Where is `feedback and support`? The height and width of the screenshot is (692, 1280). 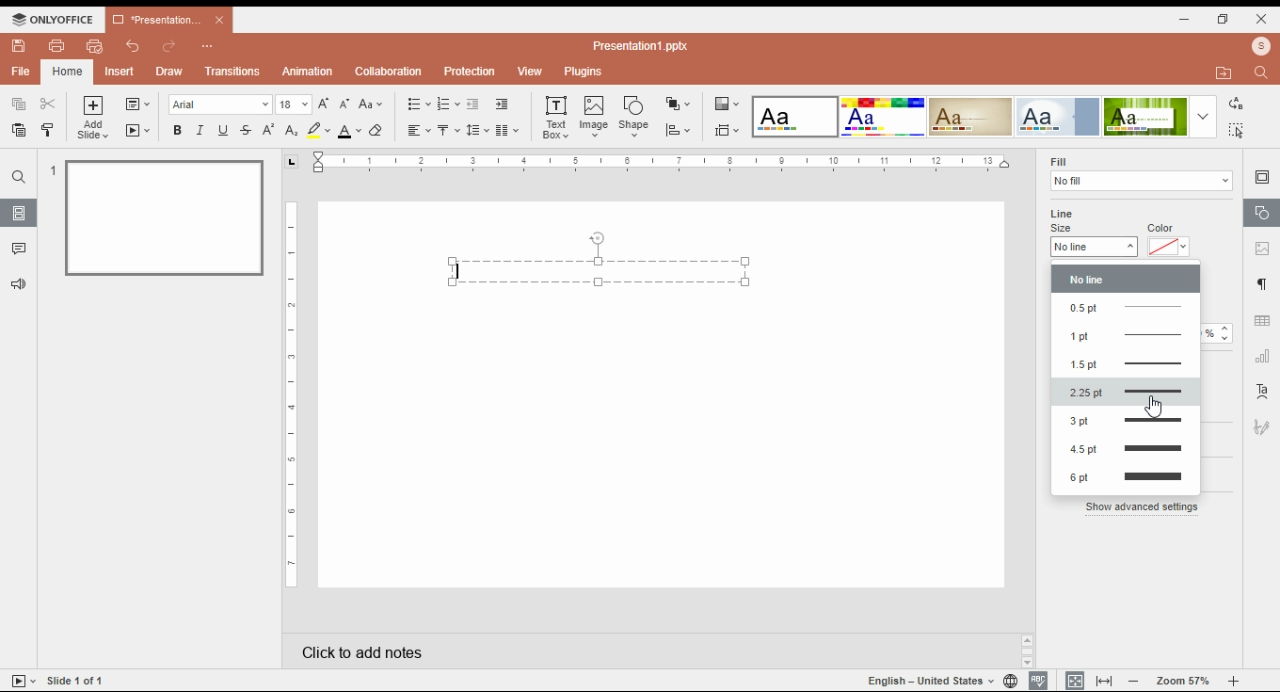 feedback and support is located at coordinates (17, 283).